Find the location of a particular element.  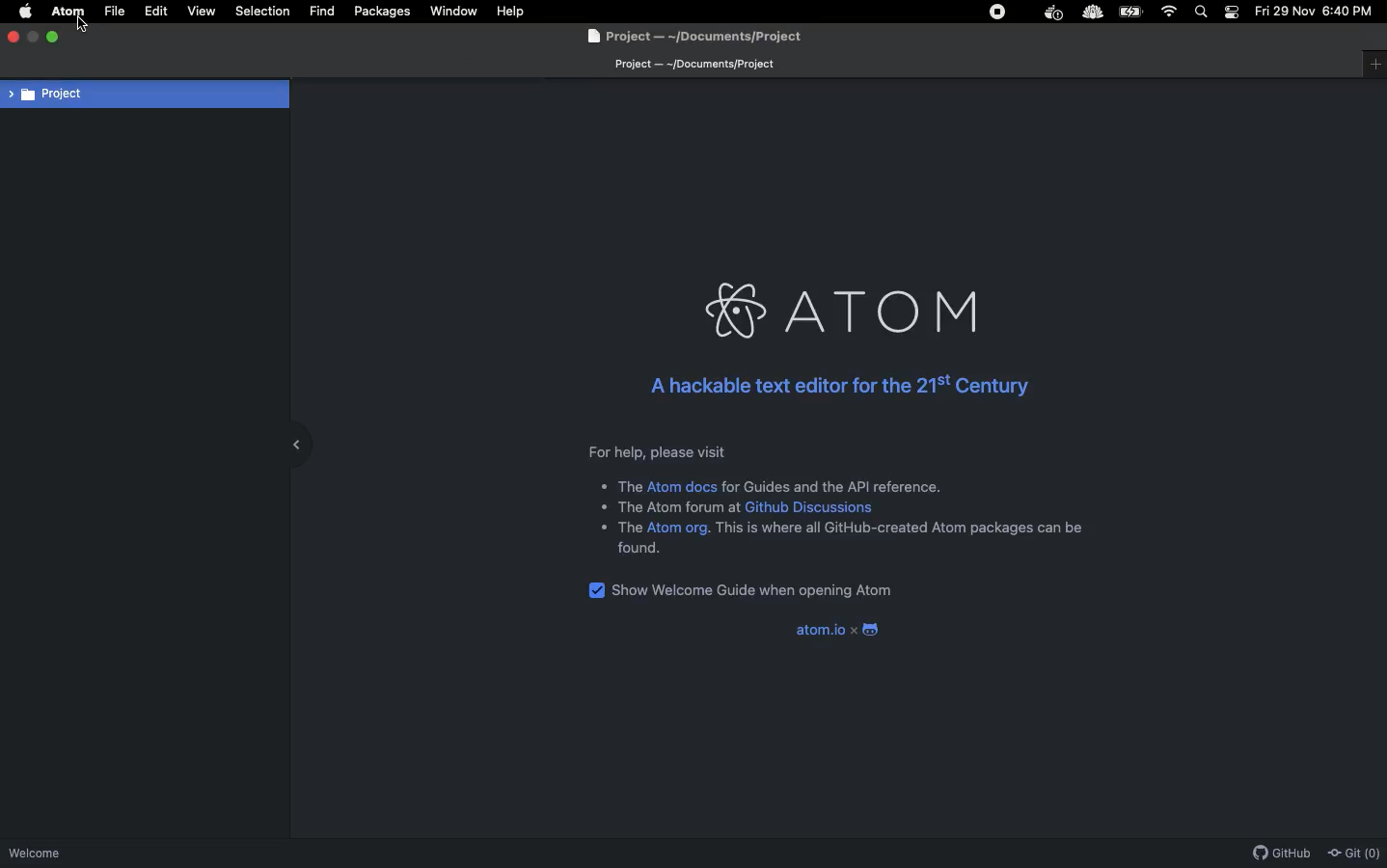

Internet is located at coordinates (1169, 12).